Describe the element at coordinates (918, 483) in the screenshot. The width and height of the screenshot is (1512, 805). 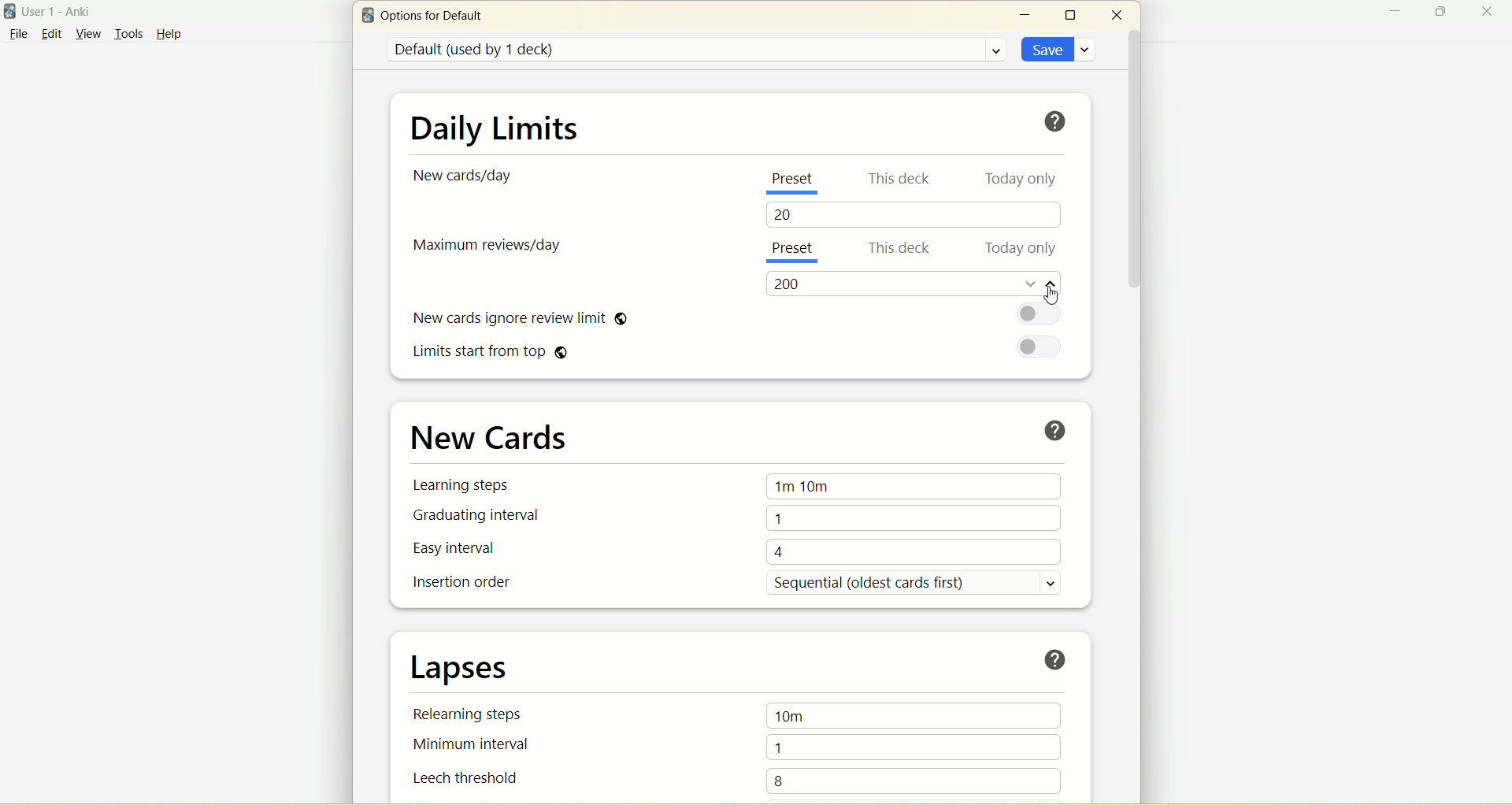
I see `1m 10m` at that location.